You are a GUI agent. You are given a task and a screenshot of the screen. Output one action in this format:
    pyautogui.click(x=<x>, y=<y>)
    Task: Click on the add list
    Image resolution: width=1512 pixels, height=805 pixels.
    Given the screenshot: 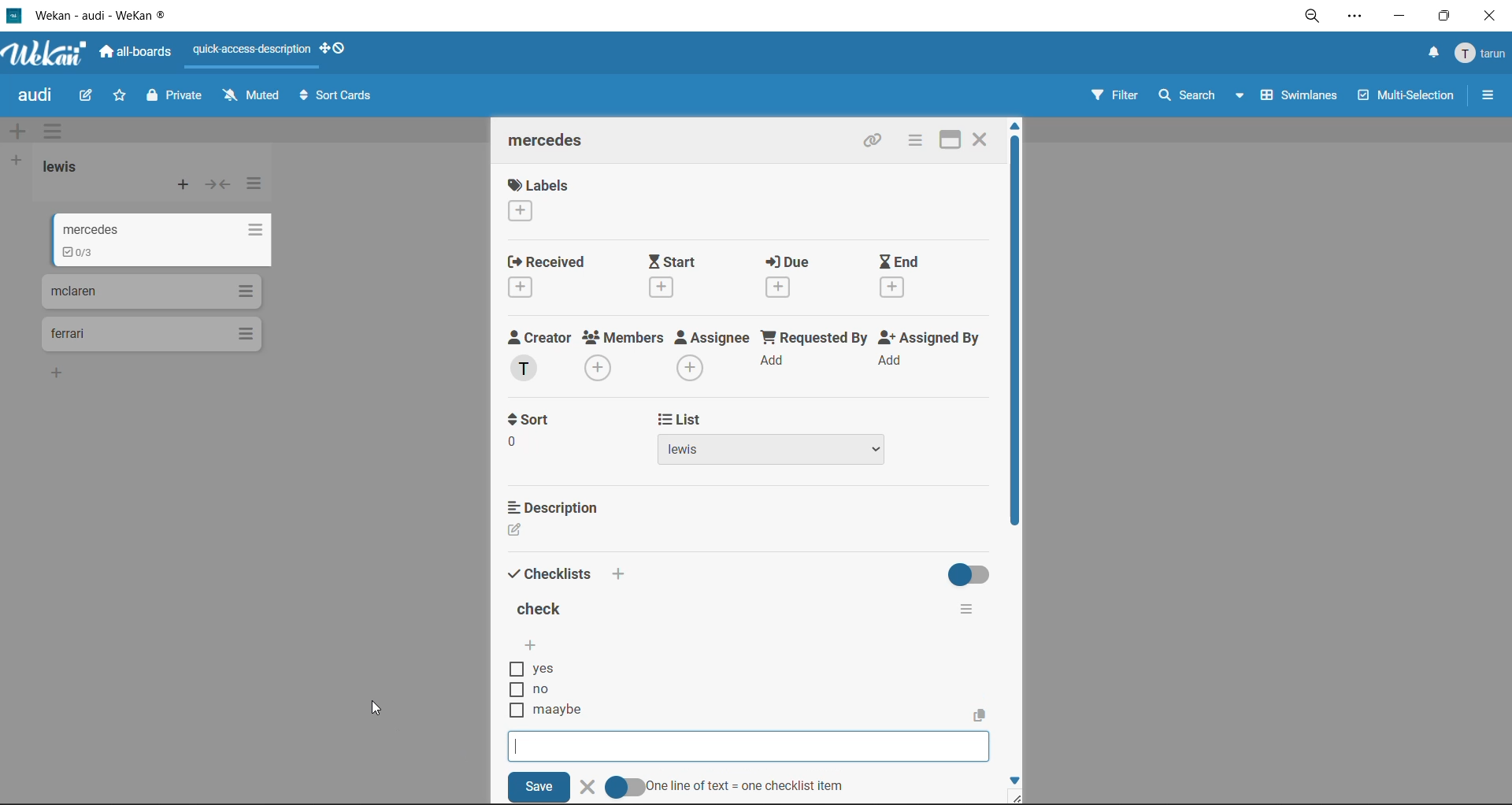 What is the action you would take?
    pyautogui.click(x=20, y=161)
    